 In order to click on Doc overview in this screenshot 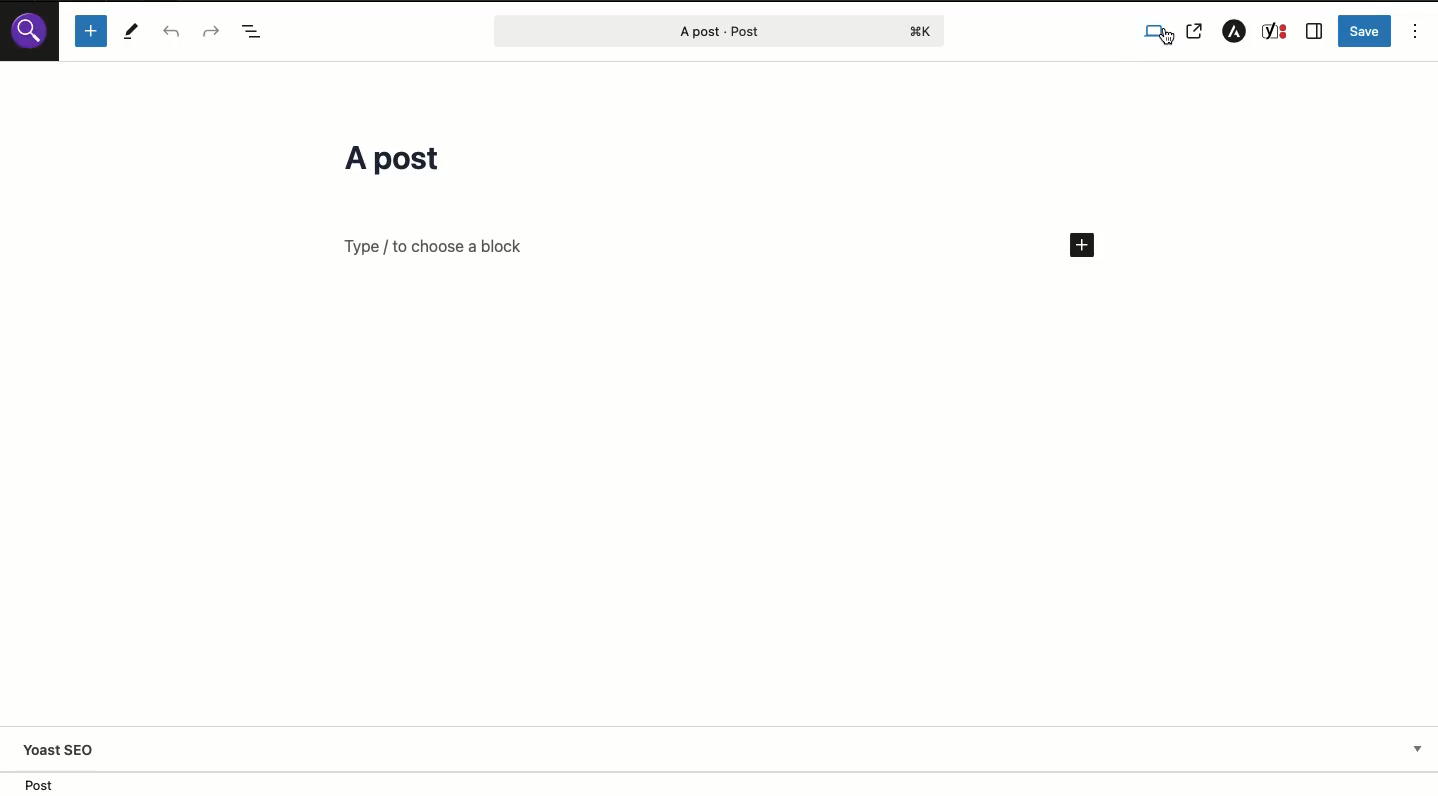, I will do `click(256, 32)`.